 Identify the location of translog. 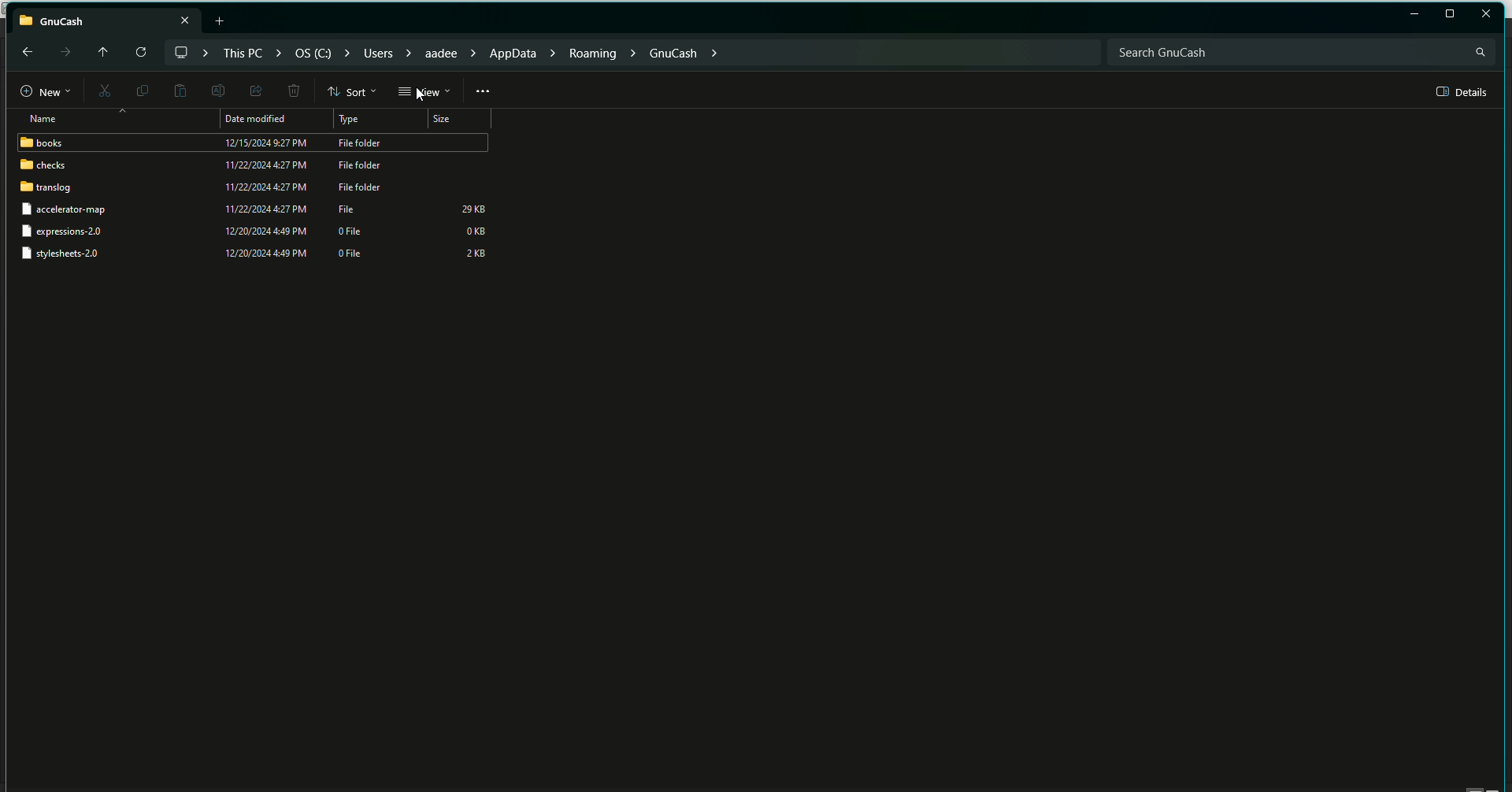
(46, 189).